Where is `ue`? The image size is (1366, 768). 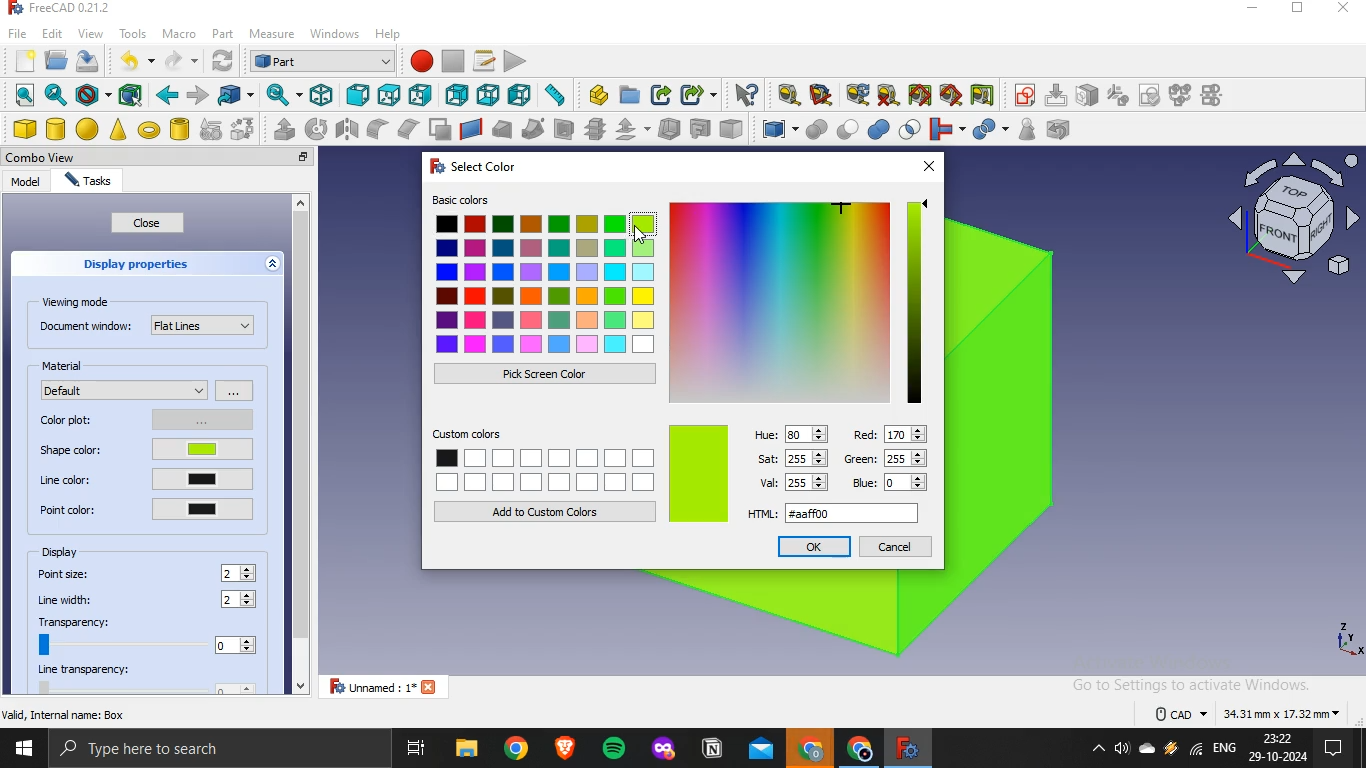 ue is located at coordinates (791, 432).